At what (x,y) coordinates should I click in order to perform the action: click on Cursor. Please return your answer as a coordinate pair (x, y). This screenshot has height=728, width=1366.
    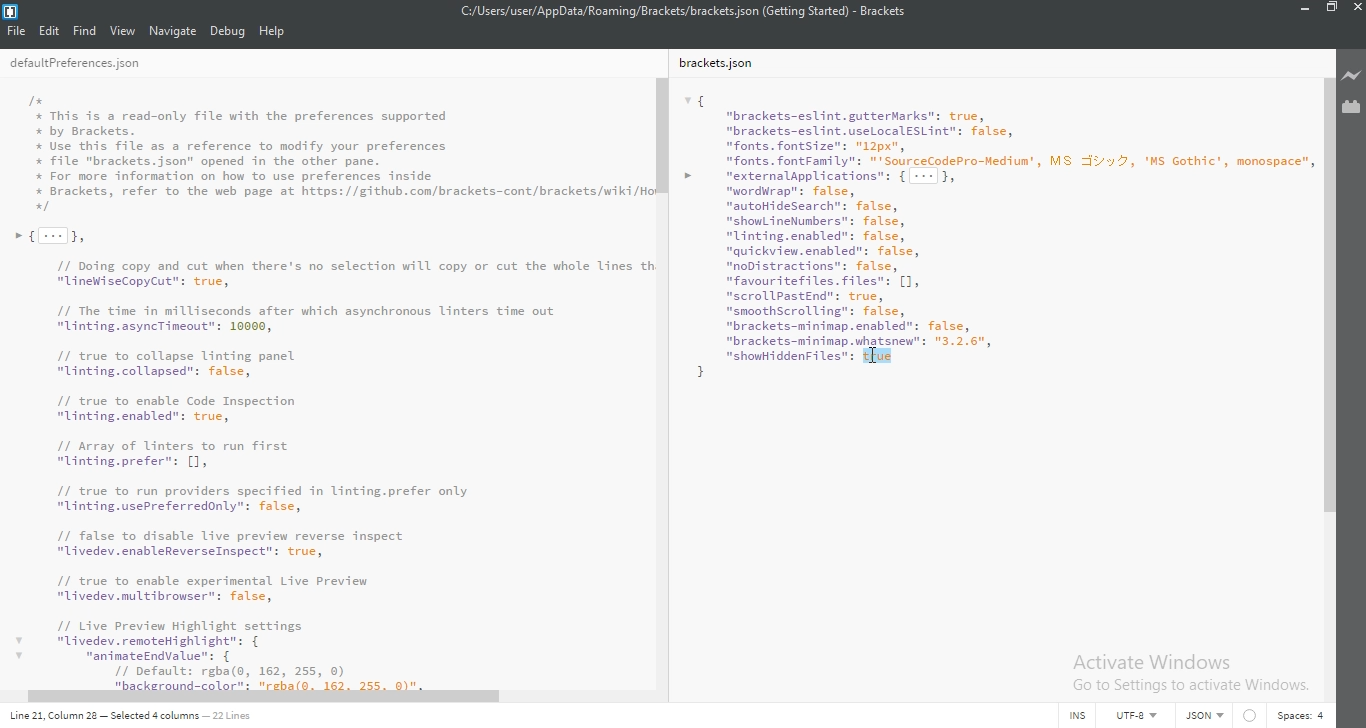
    Looking at the image, I should click on (874, 357).